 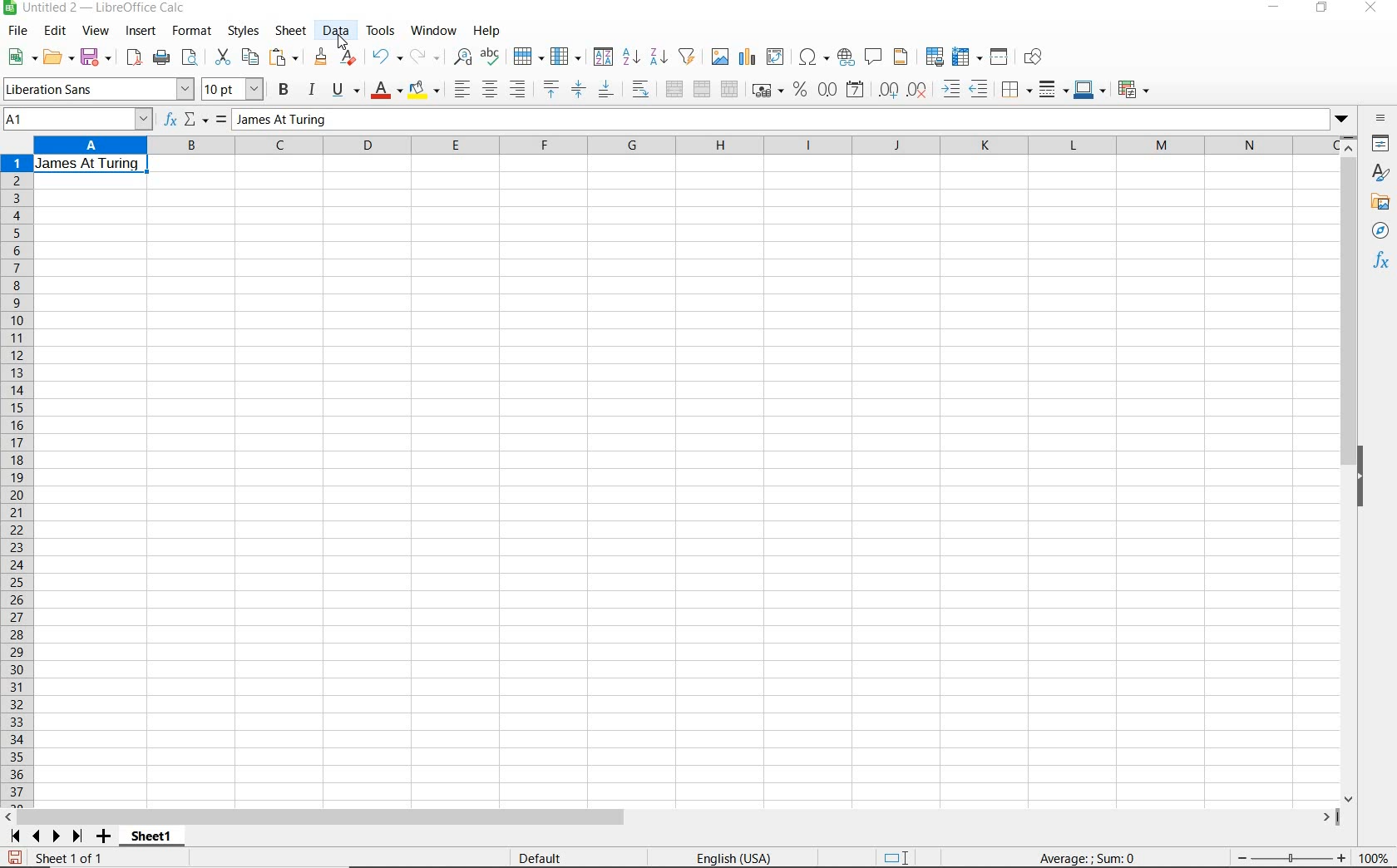 What do you see at coordinates (1380, 204) in the screenshot?
I see `gallery` at bounding box center [1380, 204].